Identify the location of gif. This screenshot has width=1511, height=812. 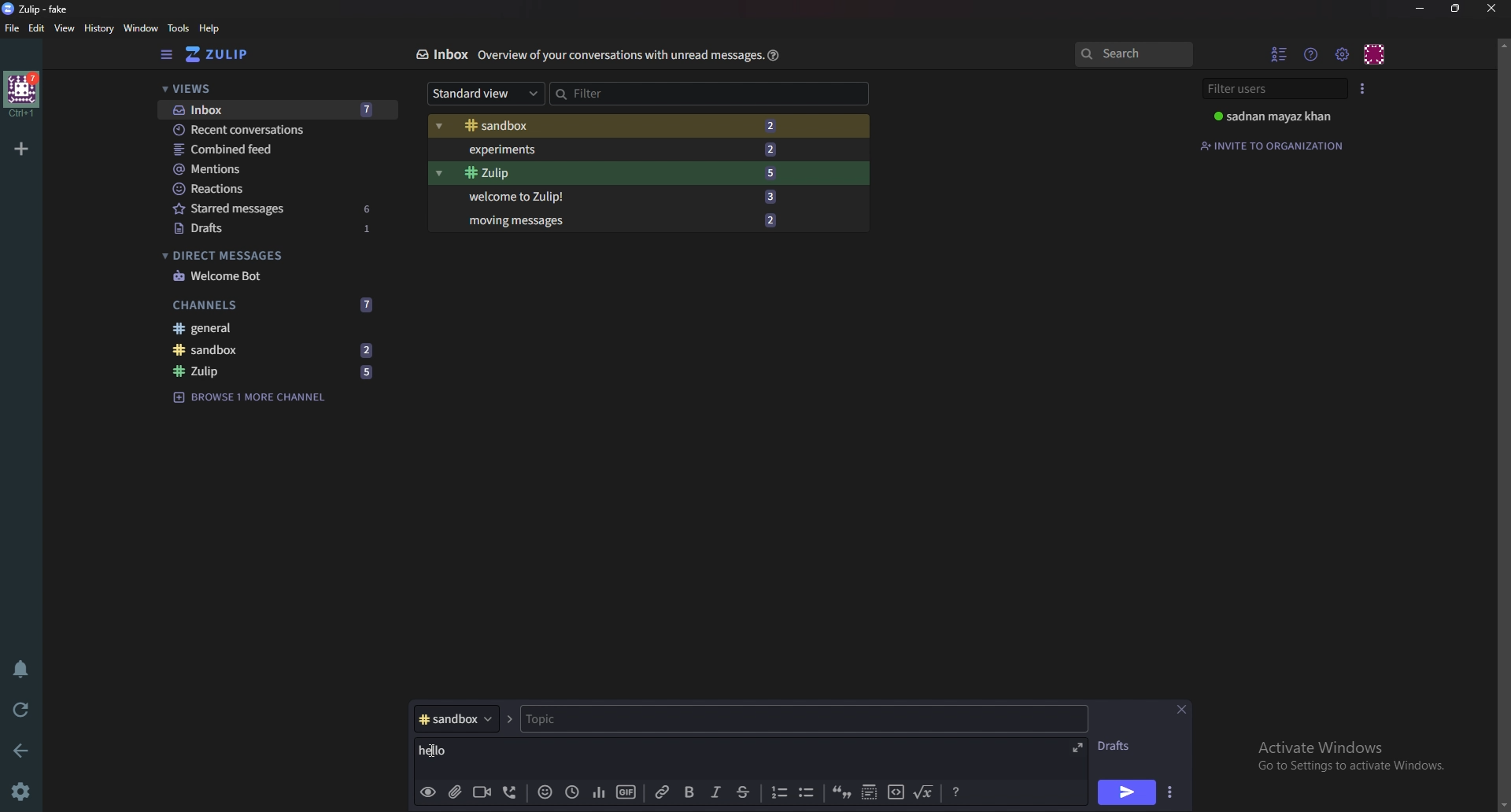
(627, 791).